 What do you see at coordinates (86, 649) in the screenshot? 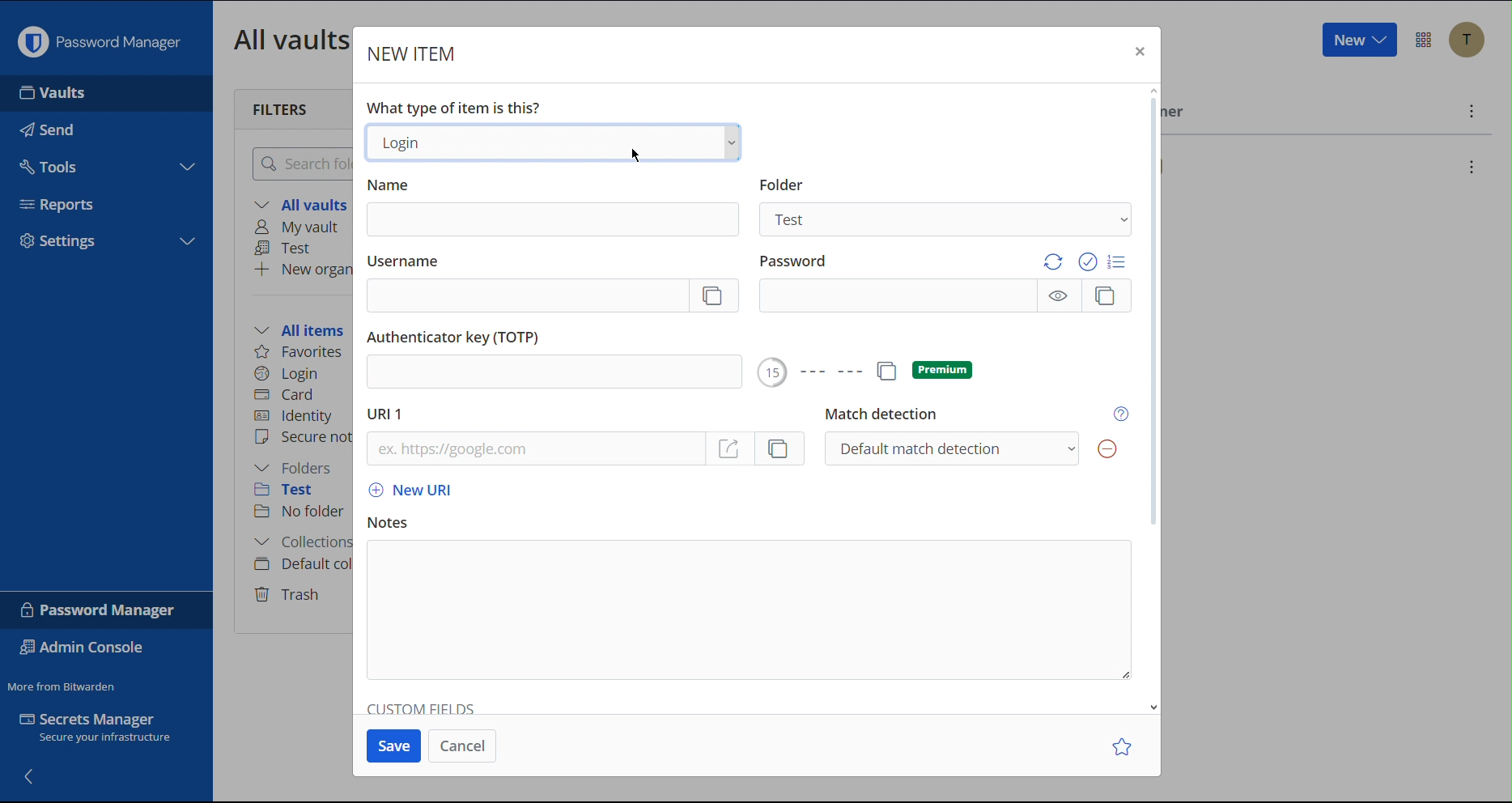
I see `Admin Console` at bounding box center [86, 649].